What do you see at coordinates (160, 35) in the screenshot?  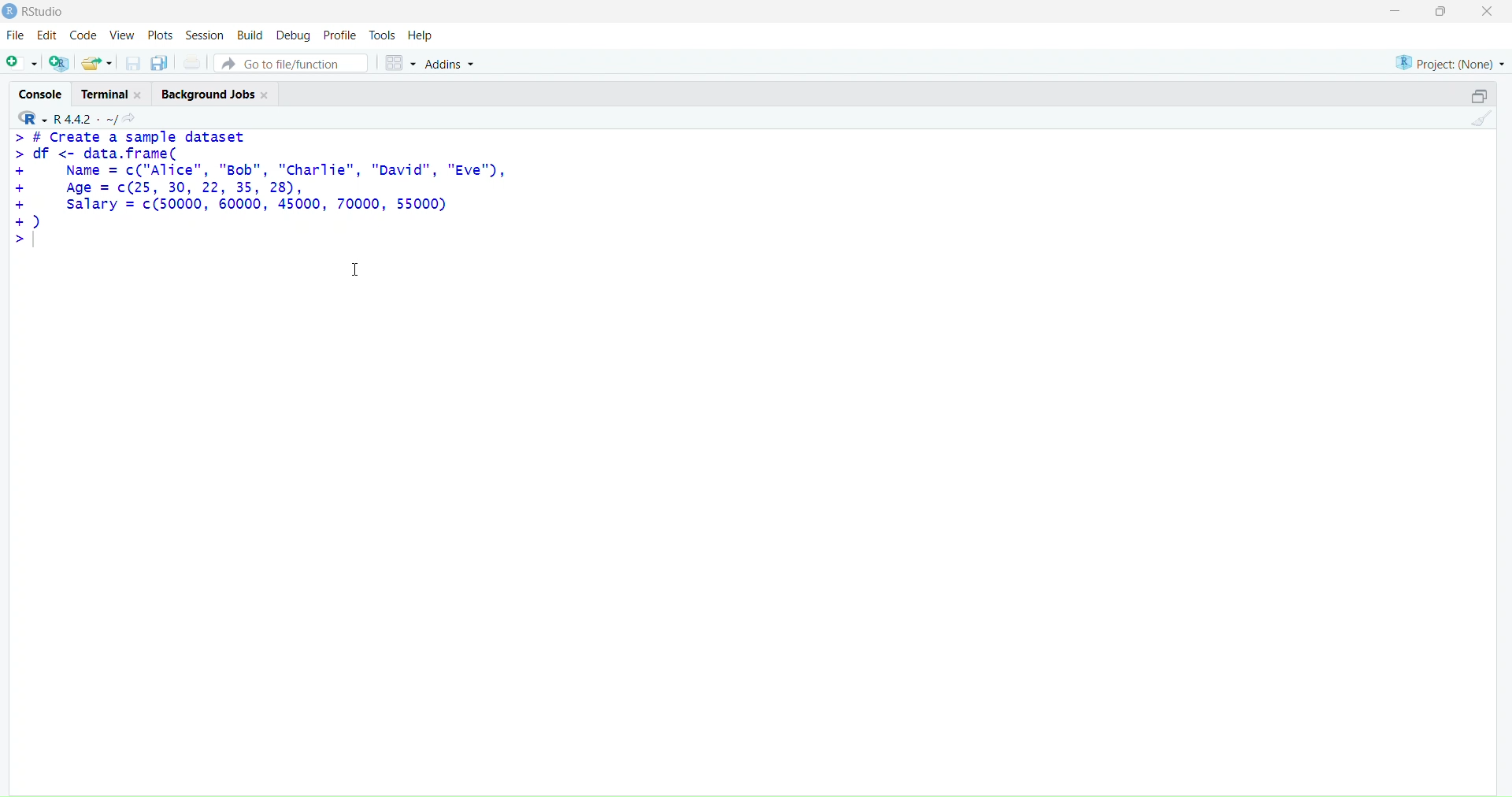 I see `plots` at bounding box center [160, 35].